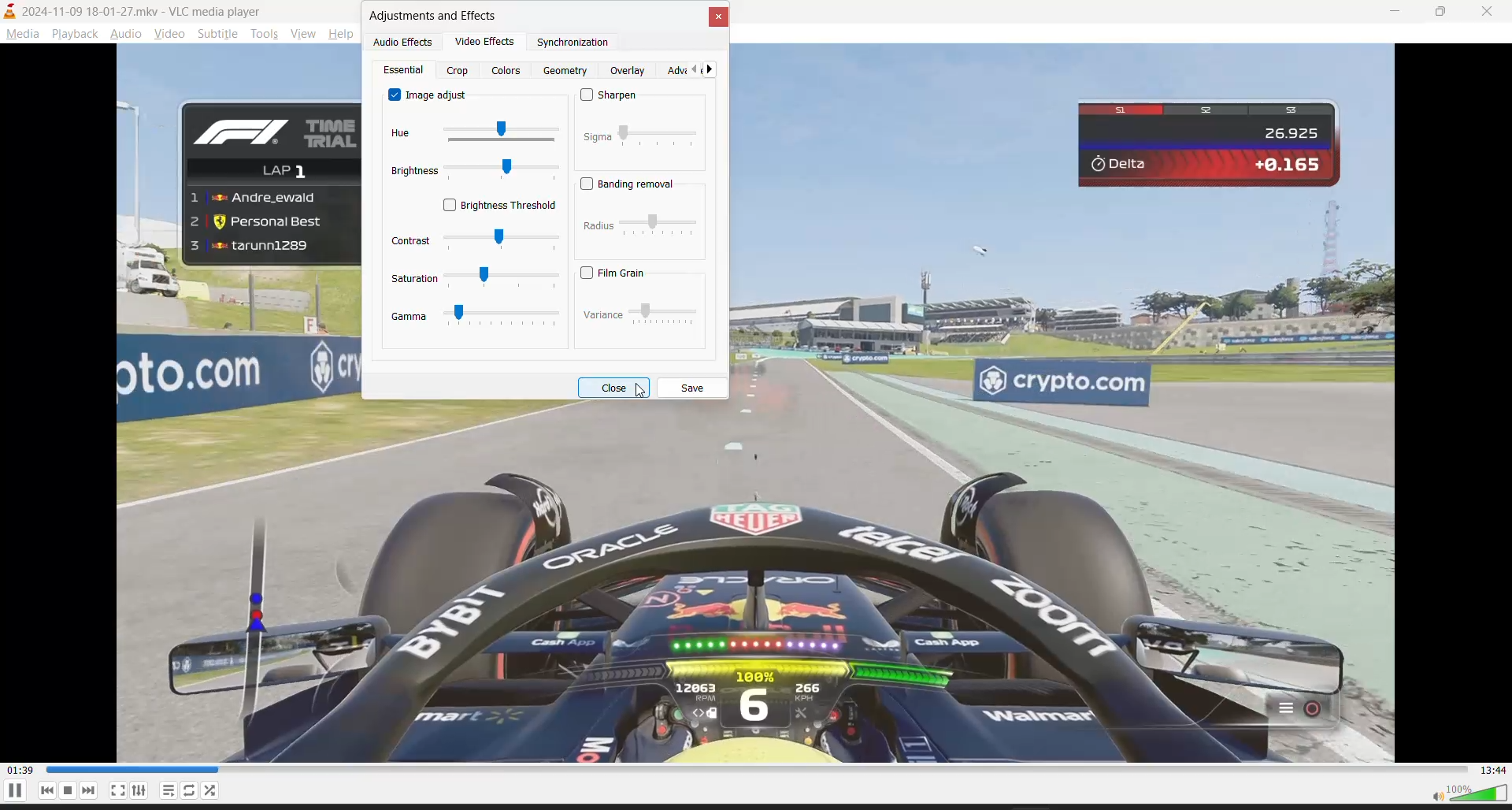 This screenshot has width=1512, height=810. I want to click on sharpen, so click(616, 96).